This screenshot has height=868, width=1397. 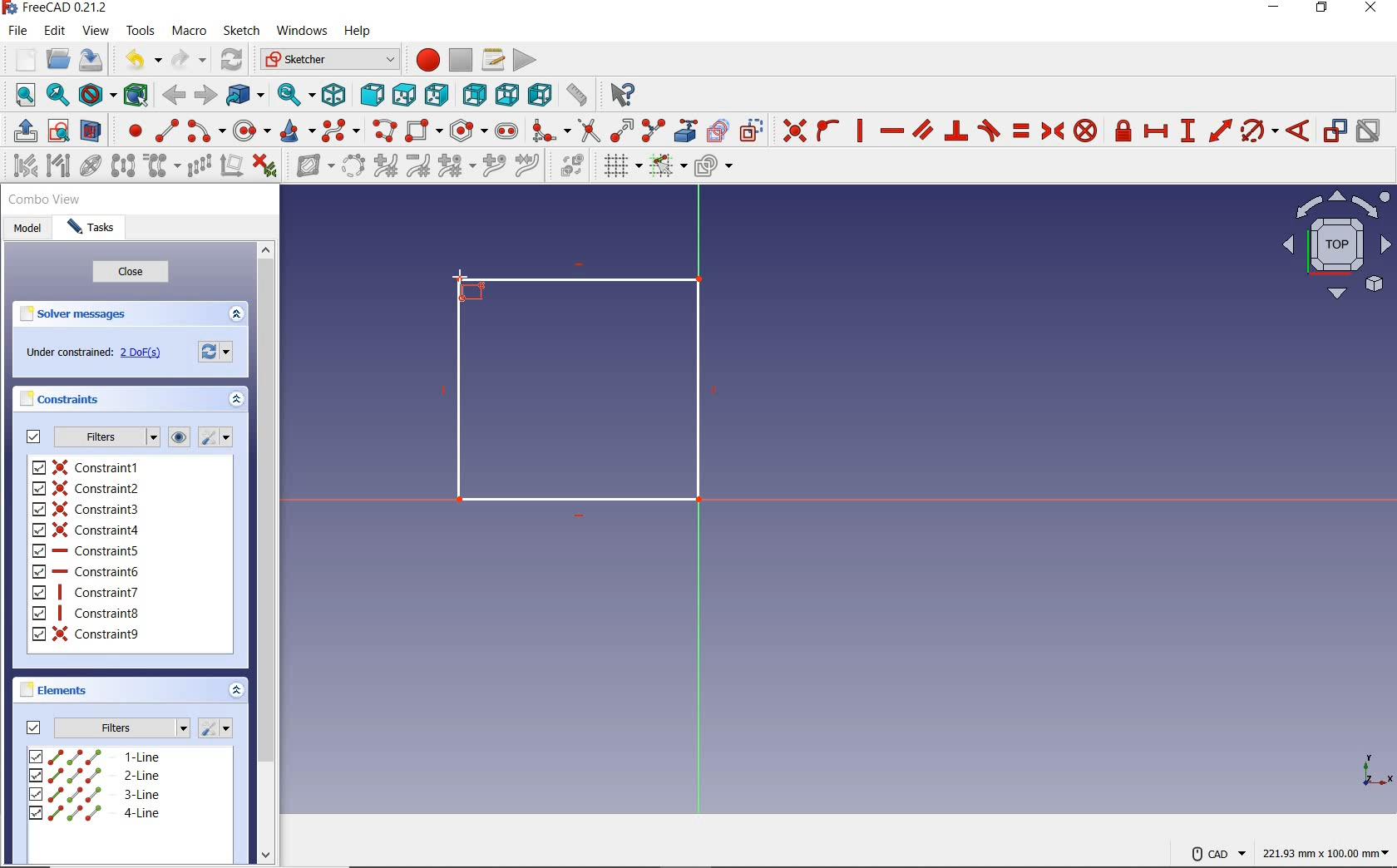 What do you see at coordinates (198, 166) in the screenshot?
I see `rectangular array` at bounding box center [198, 166].